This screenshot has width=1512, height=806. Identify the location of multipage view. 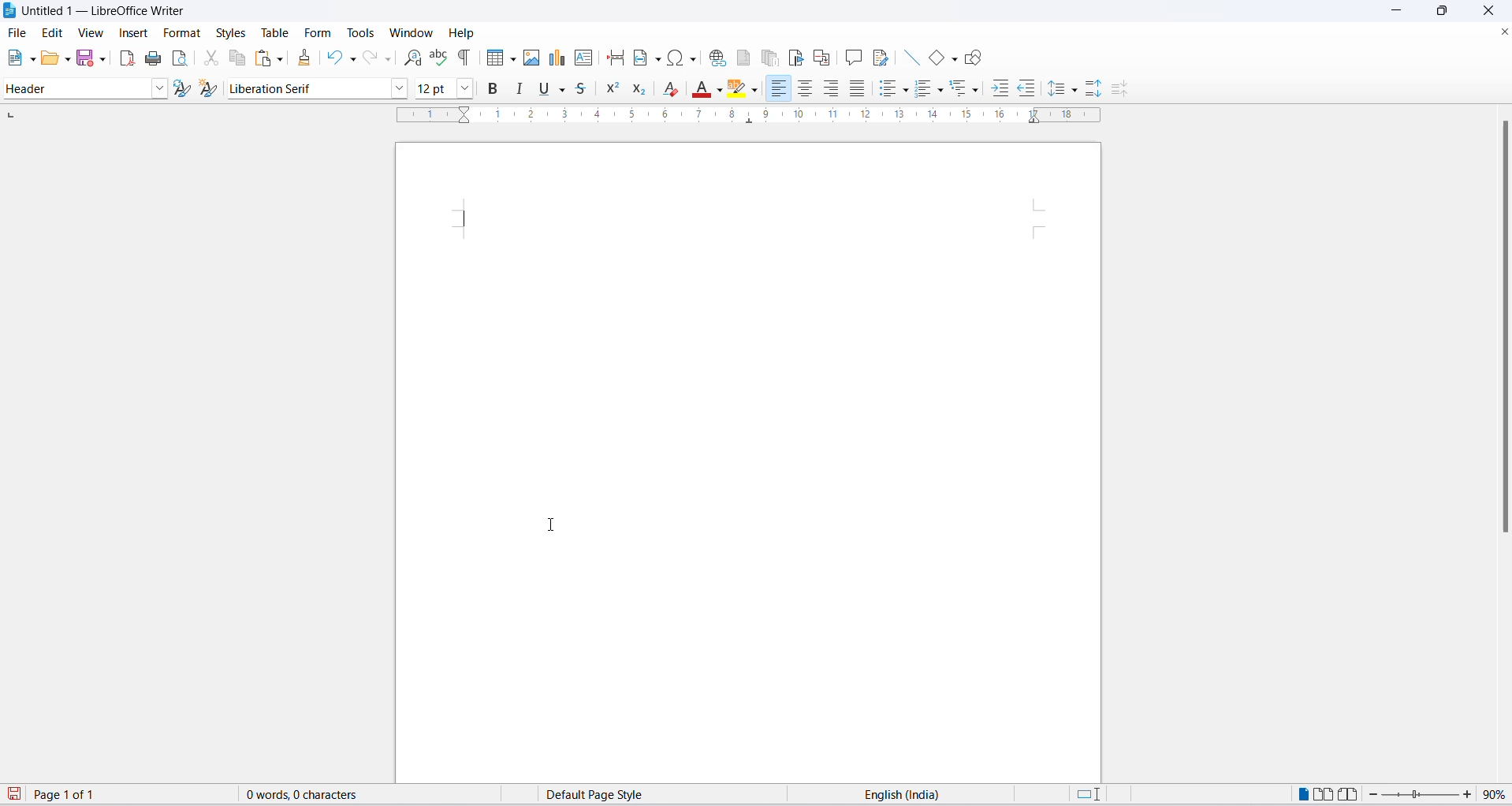
(1322, 794).